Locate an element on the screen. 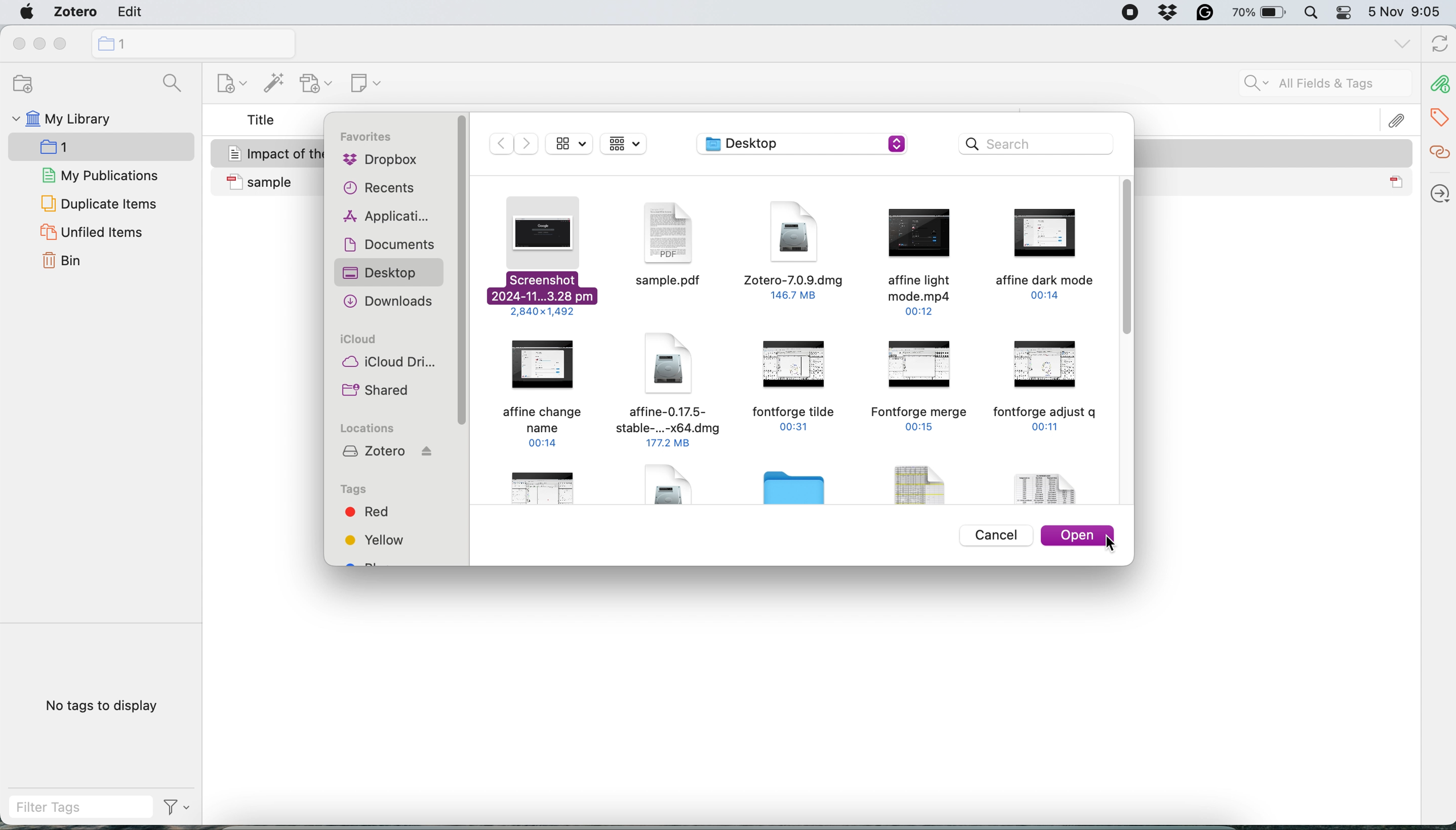  display as is located at coordinates (571, 144).